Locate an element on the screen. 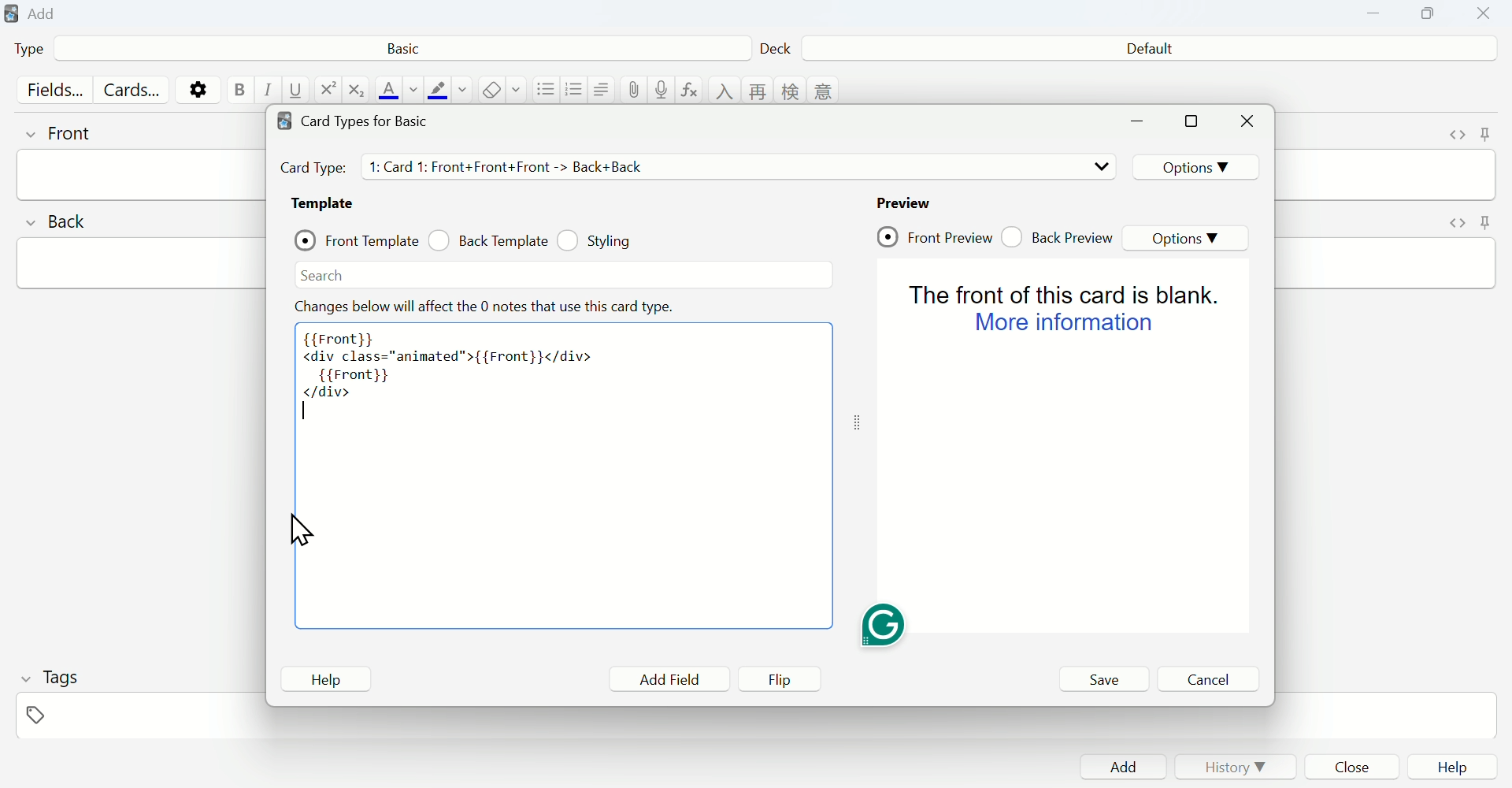 This screenshot has height=788, width=1512. Default is located at coordinates (1153, 49).